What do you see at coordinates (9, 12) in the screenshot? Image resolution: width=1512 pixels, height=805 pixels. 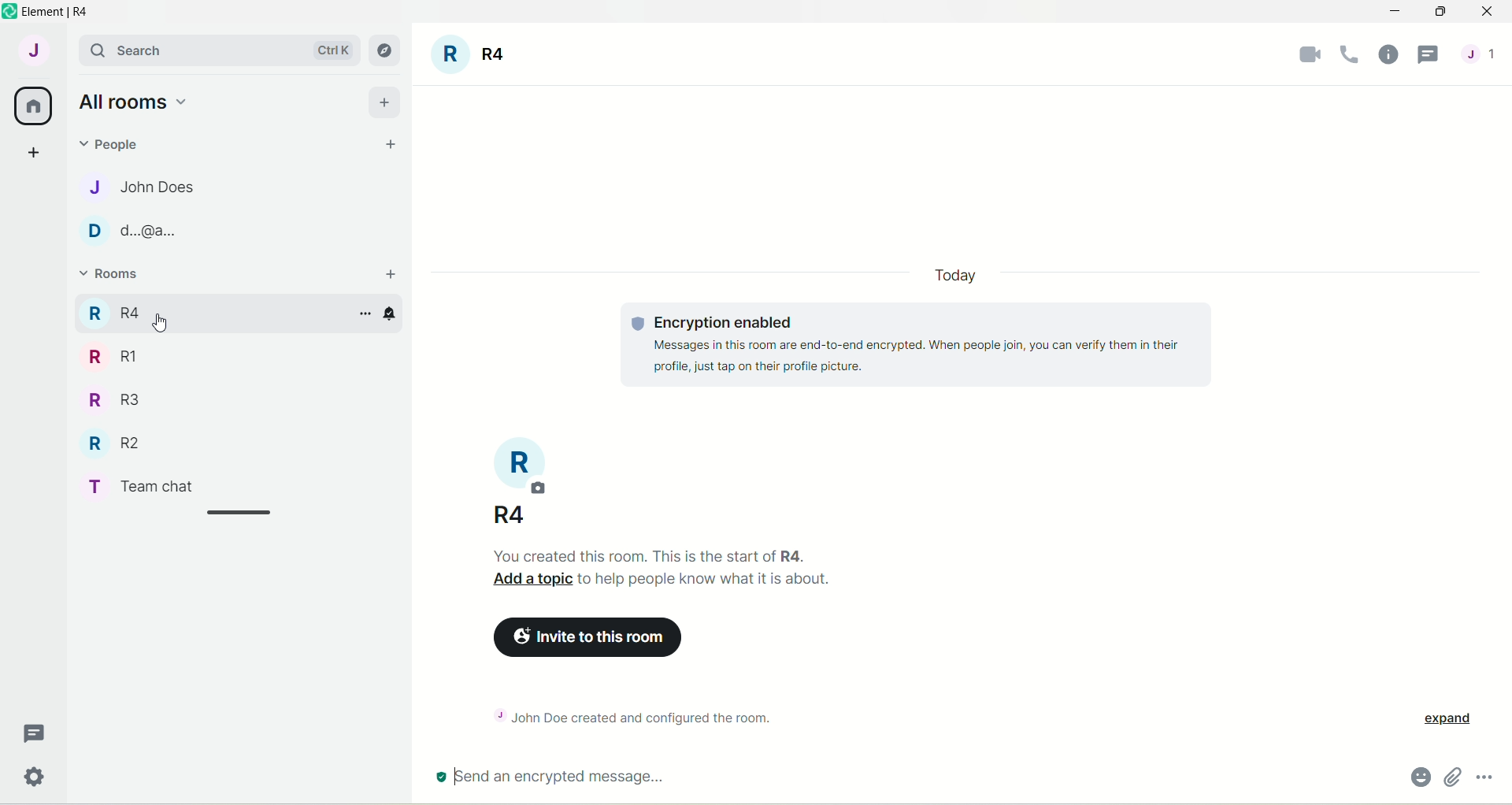 I see `logo` at bounding box center [9, 12].